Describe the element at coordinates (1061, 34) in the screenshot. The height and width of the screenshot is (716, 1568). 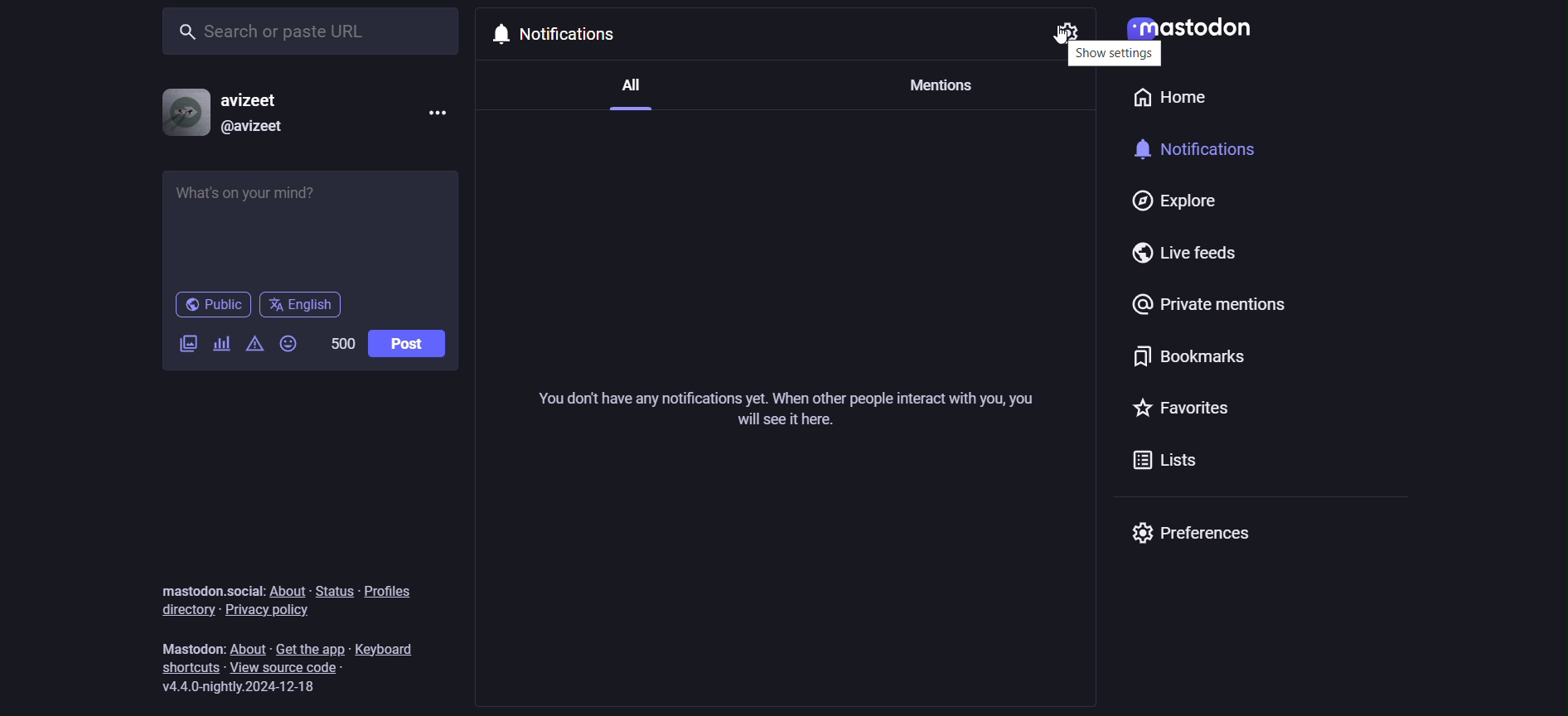
I see `setting` at that location.